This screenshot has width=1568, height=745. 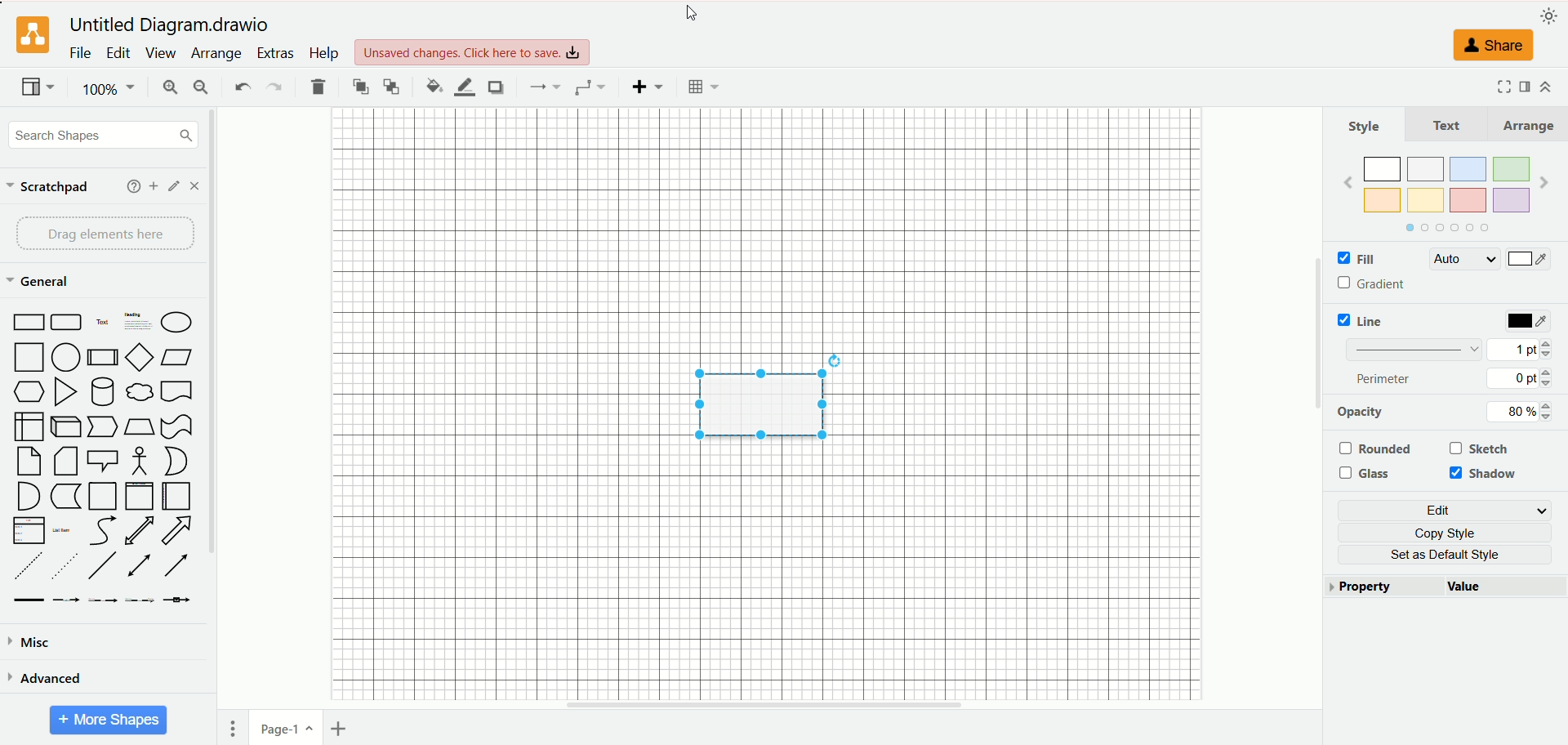 What do you see at coordinates (1355, 260) in the screenshot?
I see `fill` at bounding box center [1355, 260].